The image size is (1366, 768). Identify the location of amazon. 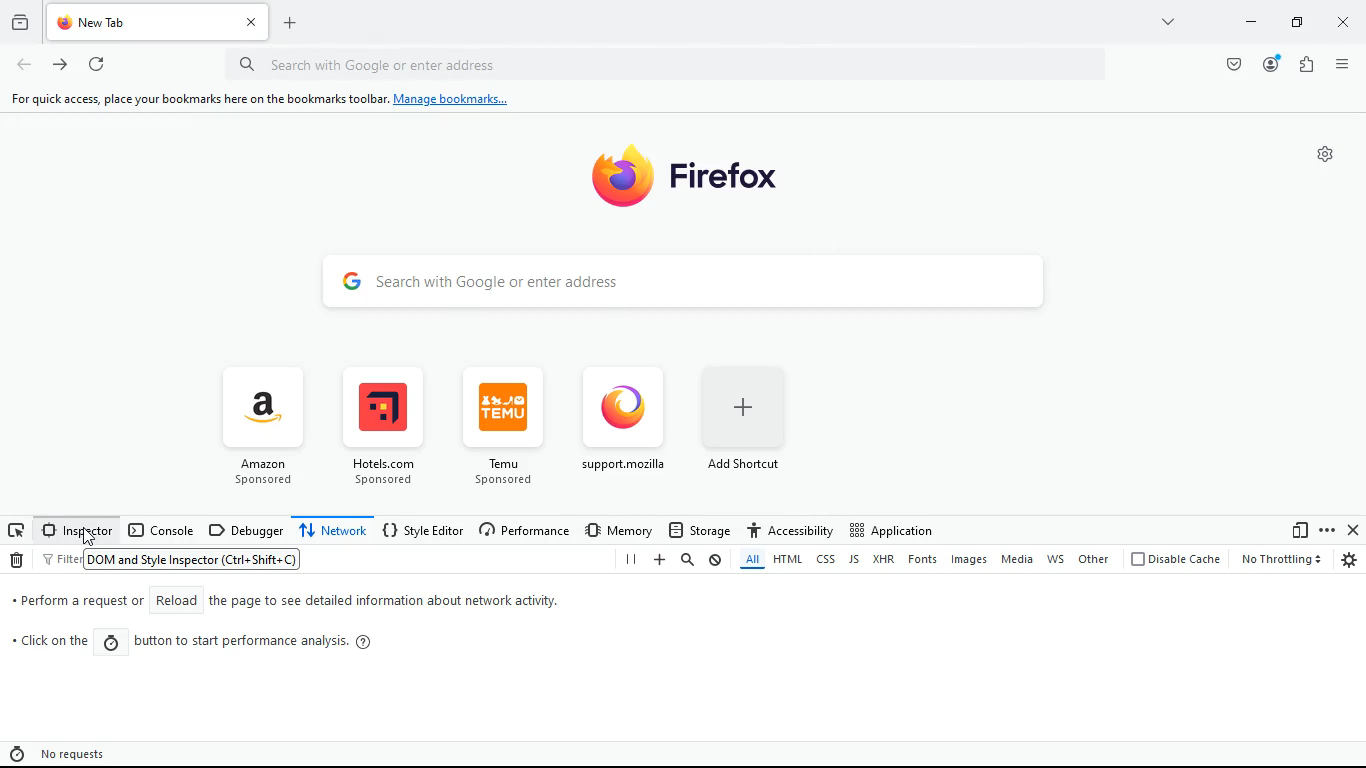
(263, 425).